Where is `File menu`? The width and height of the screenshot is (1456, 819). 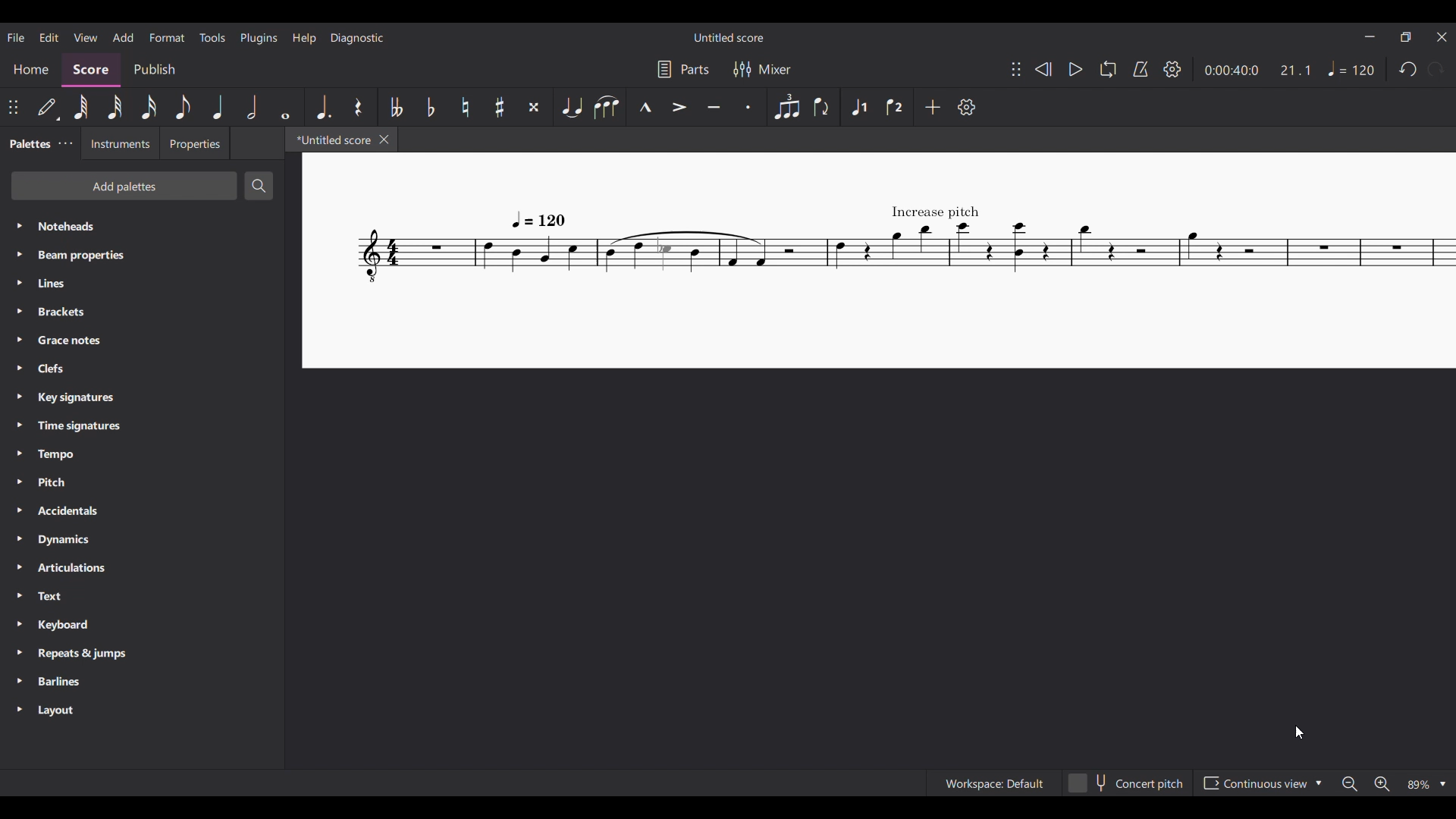 File menu is located at coordinates (16, 37).